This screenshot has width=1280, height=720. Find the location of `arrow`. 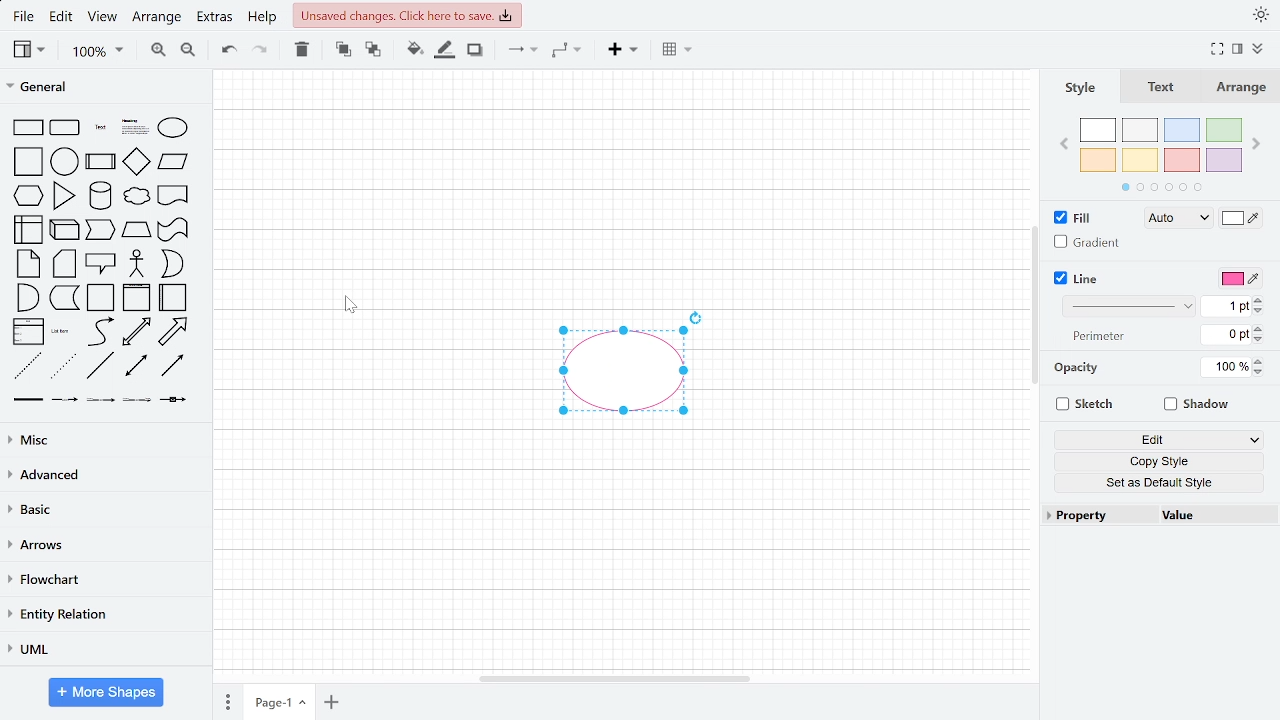

arrow is located at coordinates (175, 333).